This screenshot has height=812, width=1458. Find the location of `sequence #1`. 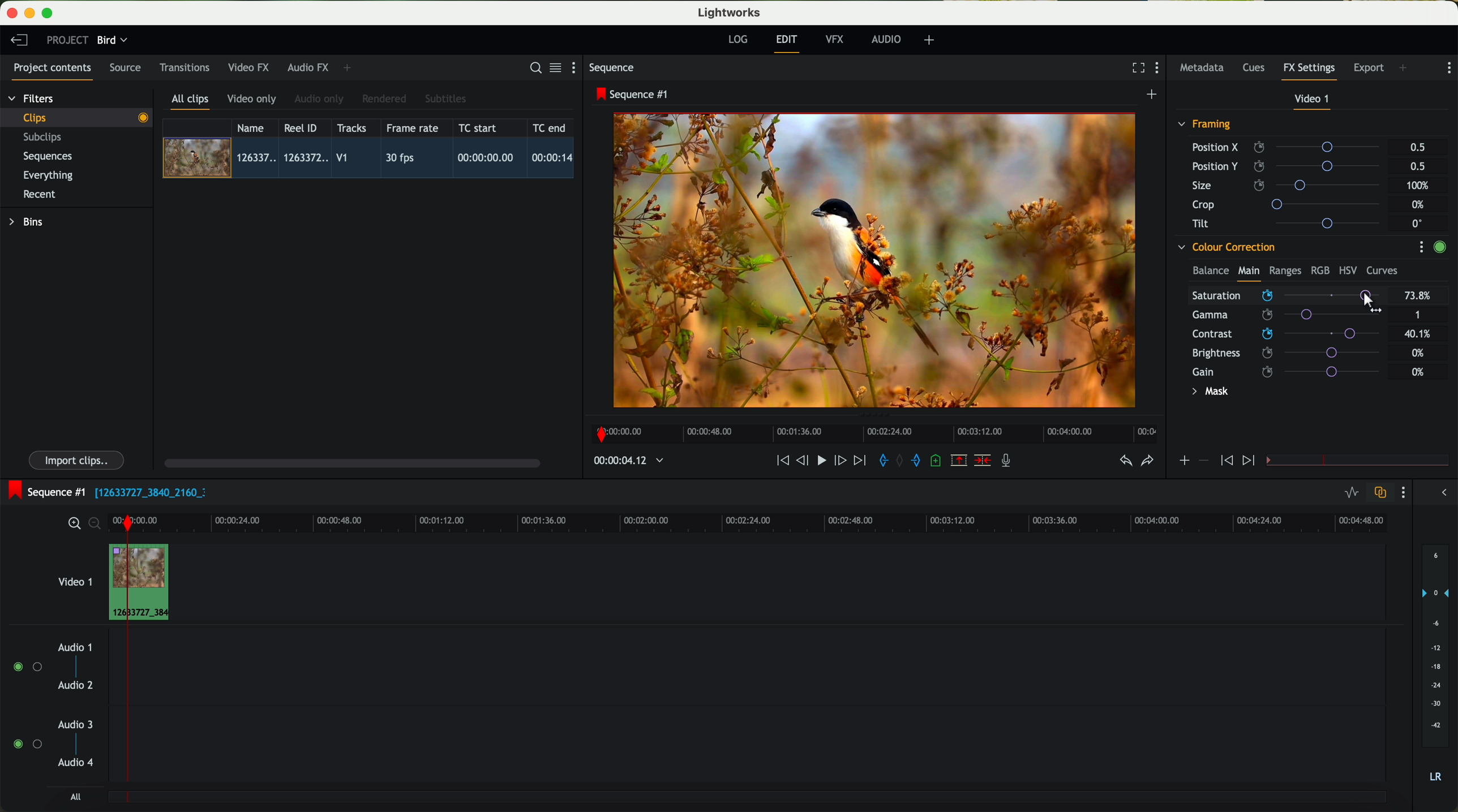

sequence #1 is located at coordinates (44, 492).